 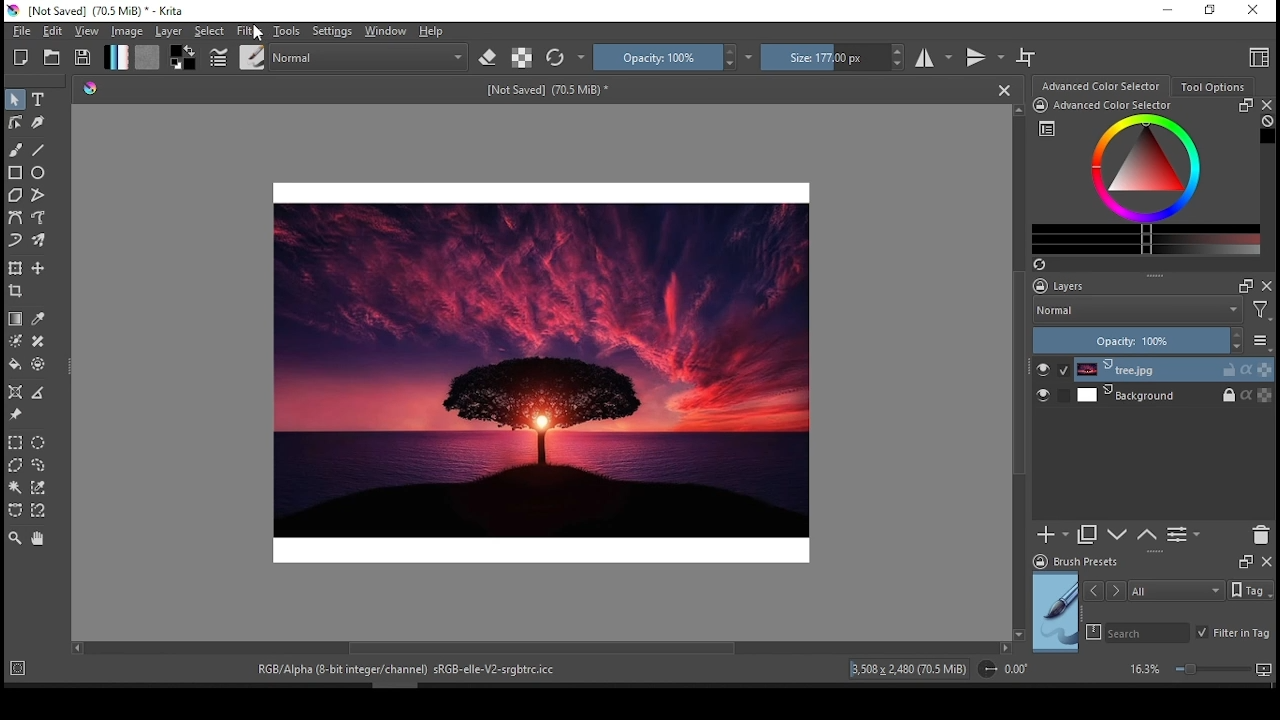 What do you see at coordinates (1152, 537) in the screenshot?
I see `move layer or mask up` at bounding box center [1152, 537].